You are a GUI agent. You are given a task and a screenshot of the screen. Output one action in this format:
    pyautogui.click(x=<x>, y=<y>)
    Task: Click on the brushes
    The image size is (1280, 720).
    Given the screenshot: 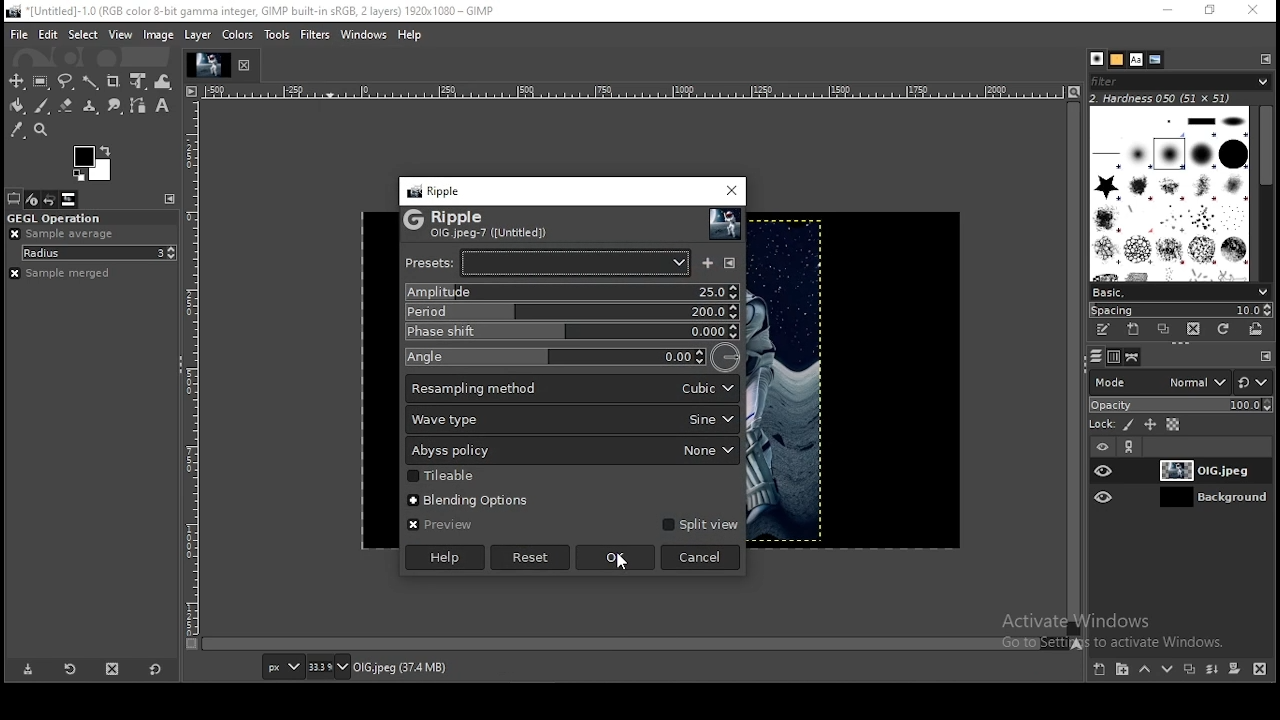 What is the action you would take?
    pyautogui.click(x=1169, y=194)
    